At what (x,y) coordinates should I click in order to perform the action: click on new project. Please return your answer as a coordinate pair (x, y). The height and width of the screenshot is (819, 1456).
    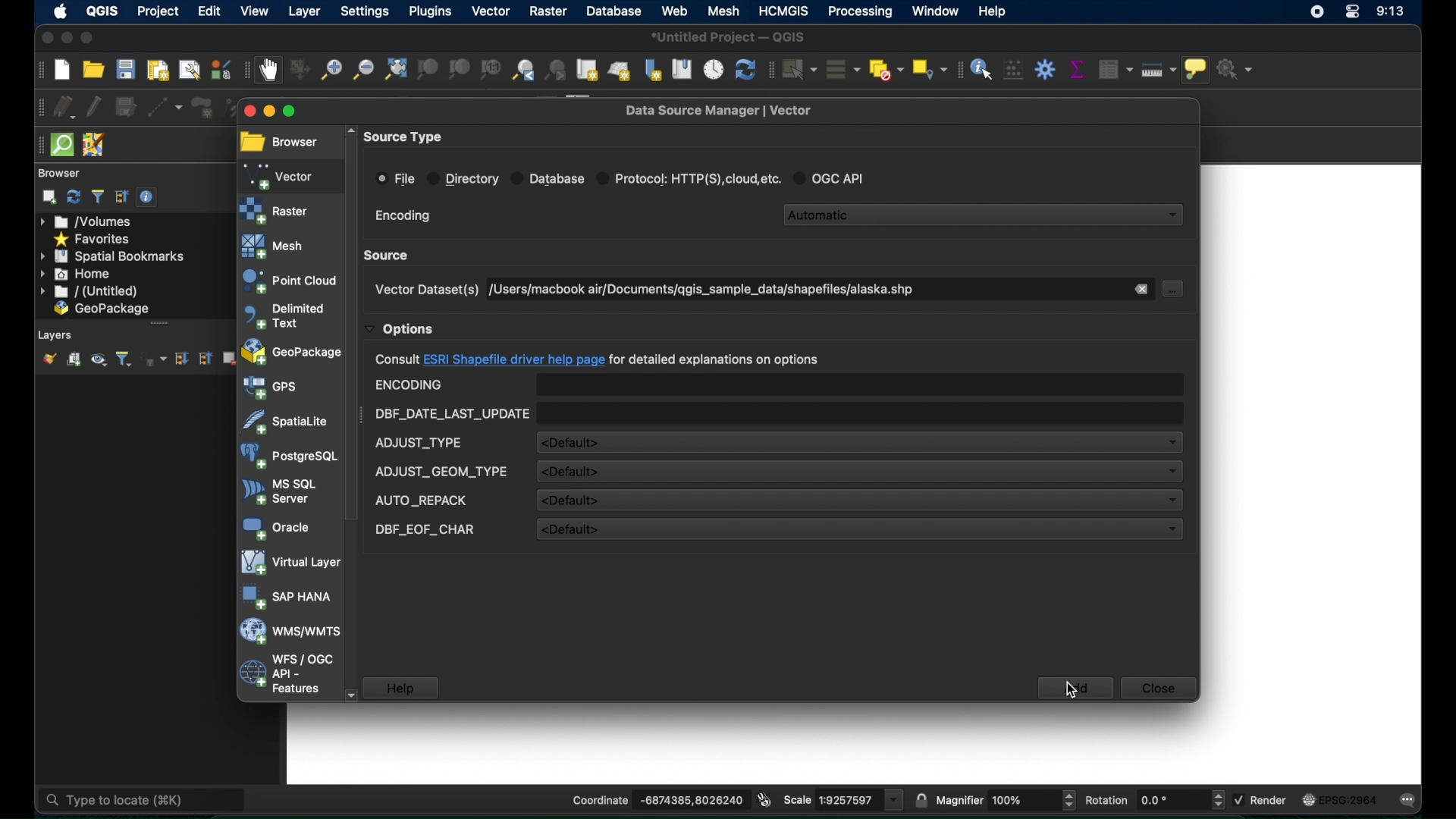
    Looking at the image, I should click on (61, 70).